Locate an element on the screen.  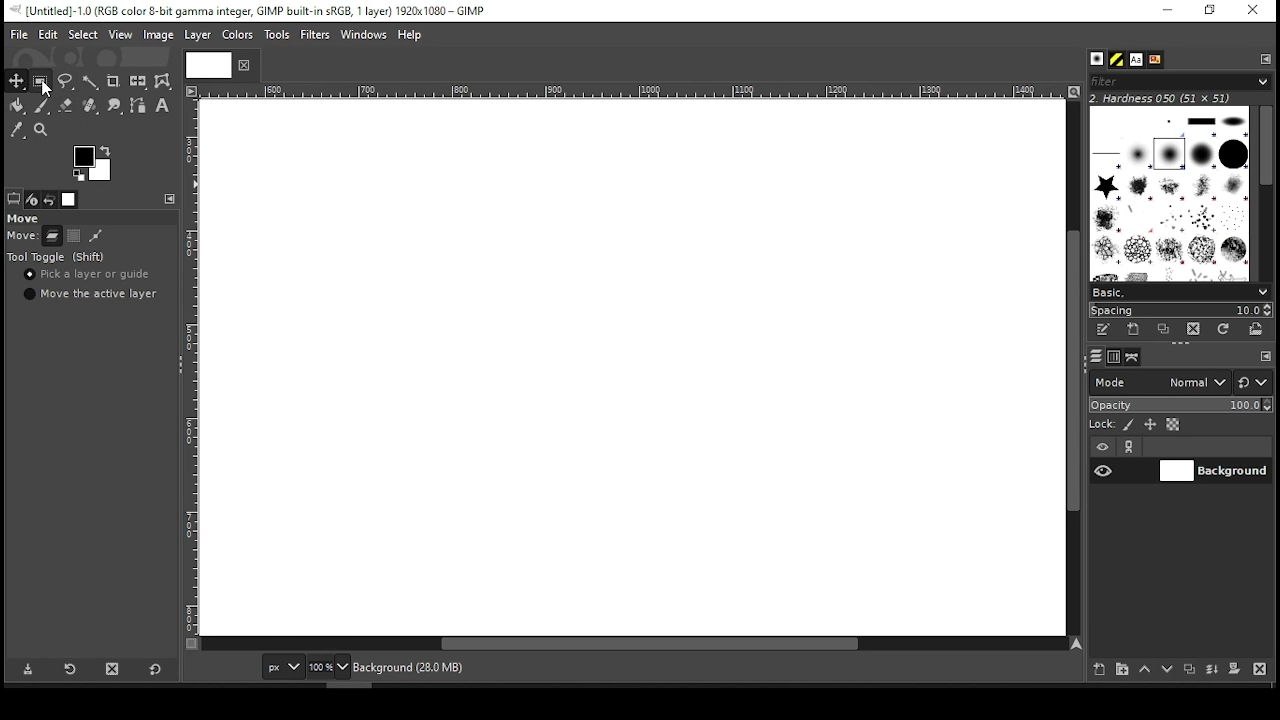
device status is located at coordinates (32, 199).